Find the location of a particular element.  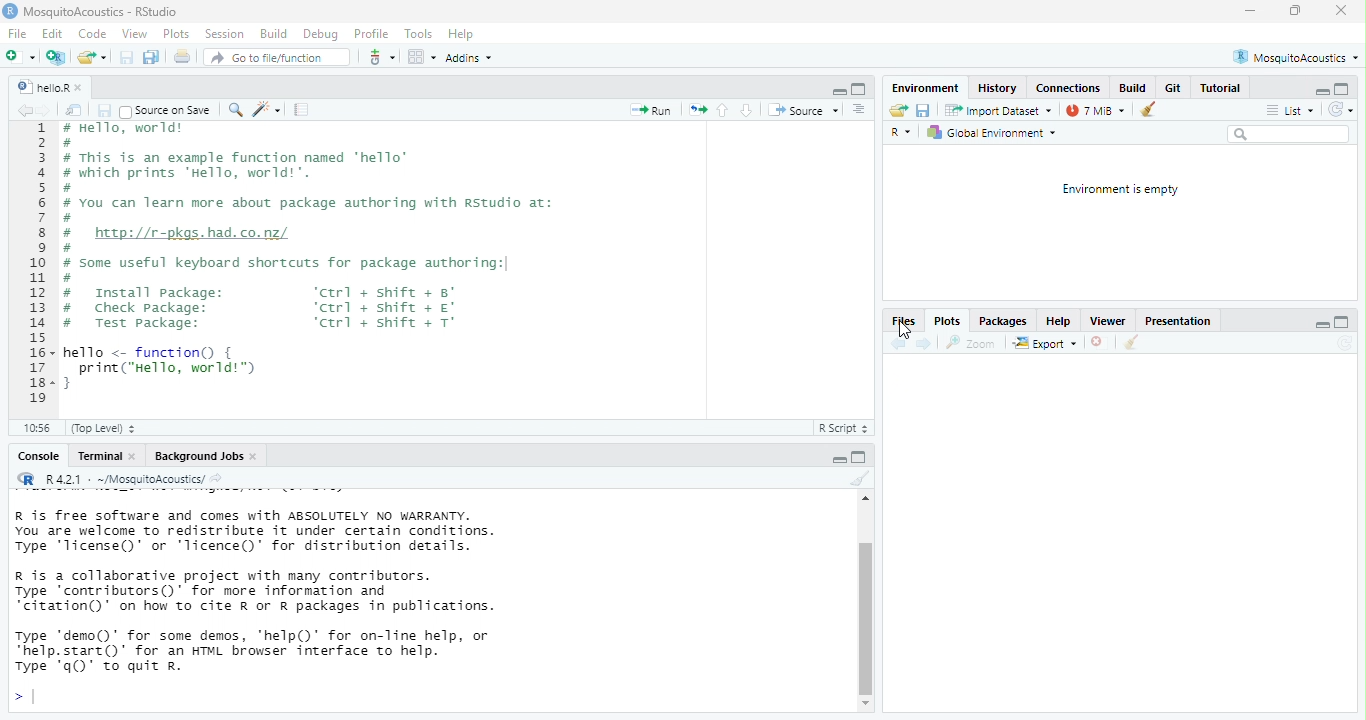

maka Bel
 #

 # This is an example function named ‘hello’

 # which prints ‘Hello, world!".

5 #

5 # You can learn more about package authoring with Rstudio at:
a

3 #  http://r-pkgs.had.co.nz/

) #

) # some useful keyboard shortcuts for package authoring:|

Lo.

 # Install package: ‘ctrl + shift + 8’

3 # Check package: ‘ctrl + shift + €'

 # Test package: ‘ctrl + shift + T°

]

5+ hello <- function() {

~~ print("Hello, world!™)

3+} is located at coordinates (339, 258).